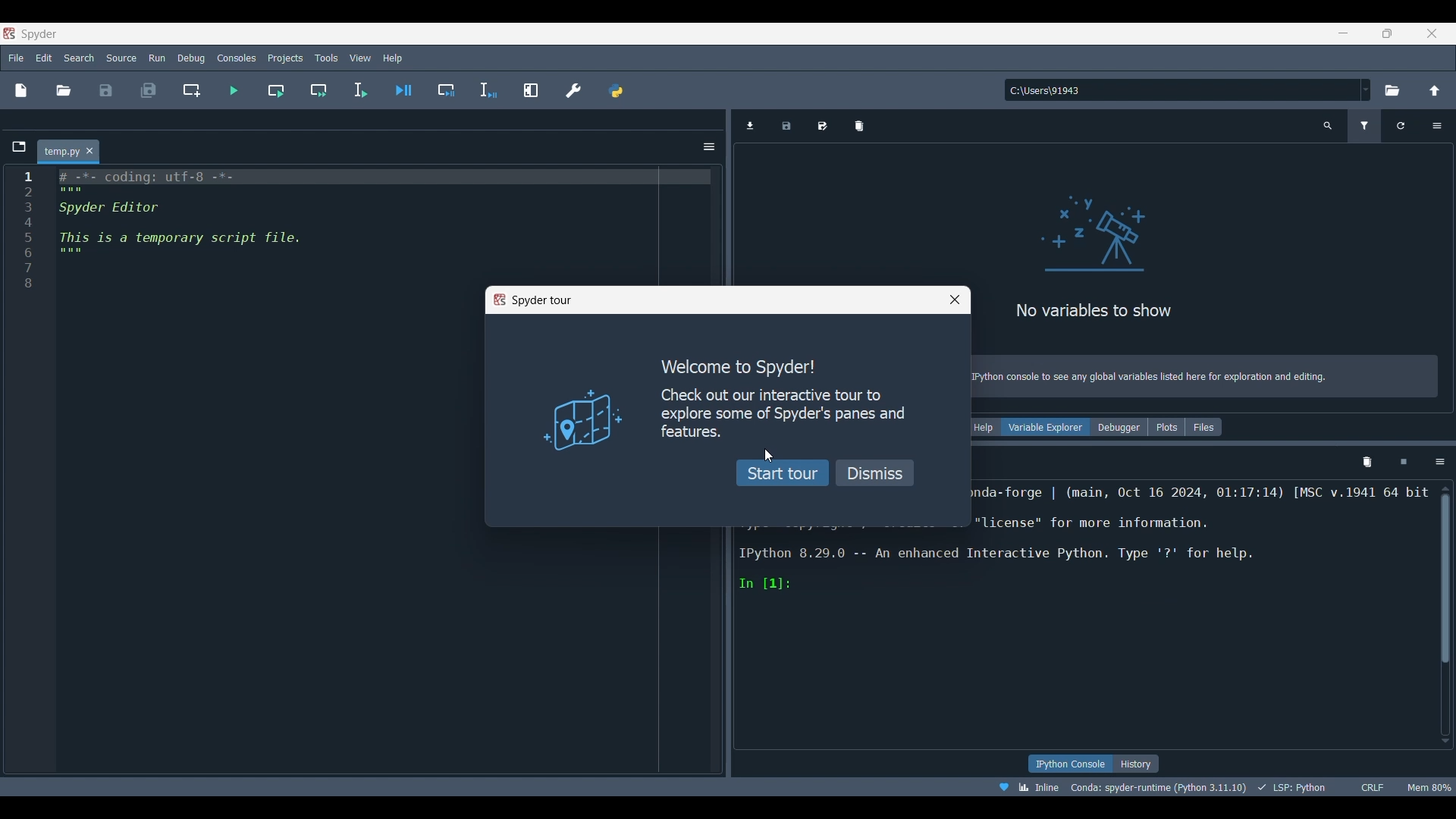 The image size is (1456, 819). What do you see at coordinates (237, 58) in the screenshot?
I see `Consoles menu` at bounding box center [237, 58].